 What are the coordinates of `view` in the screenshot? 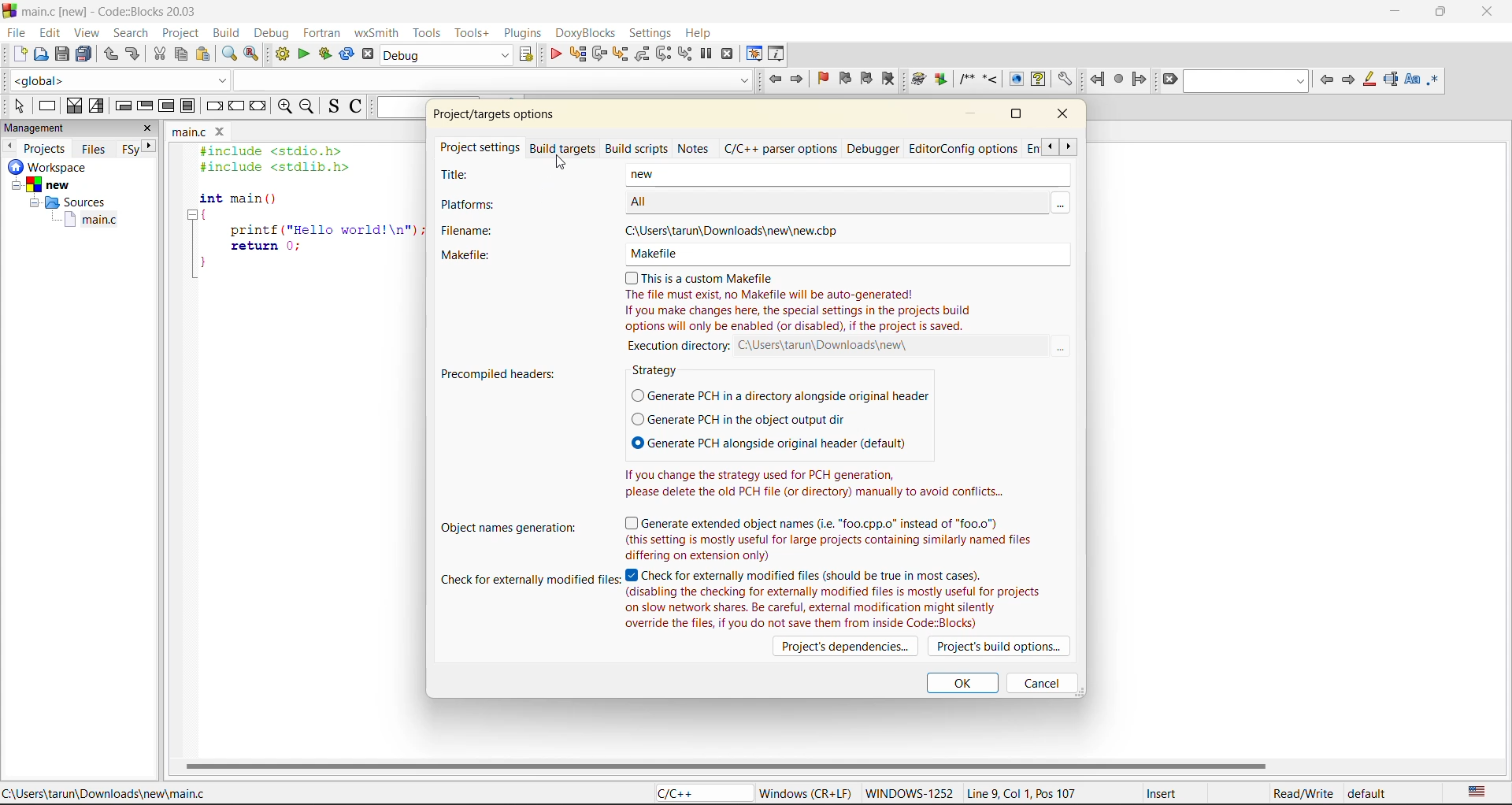 It's located at (87, 33).